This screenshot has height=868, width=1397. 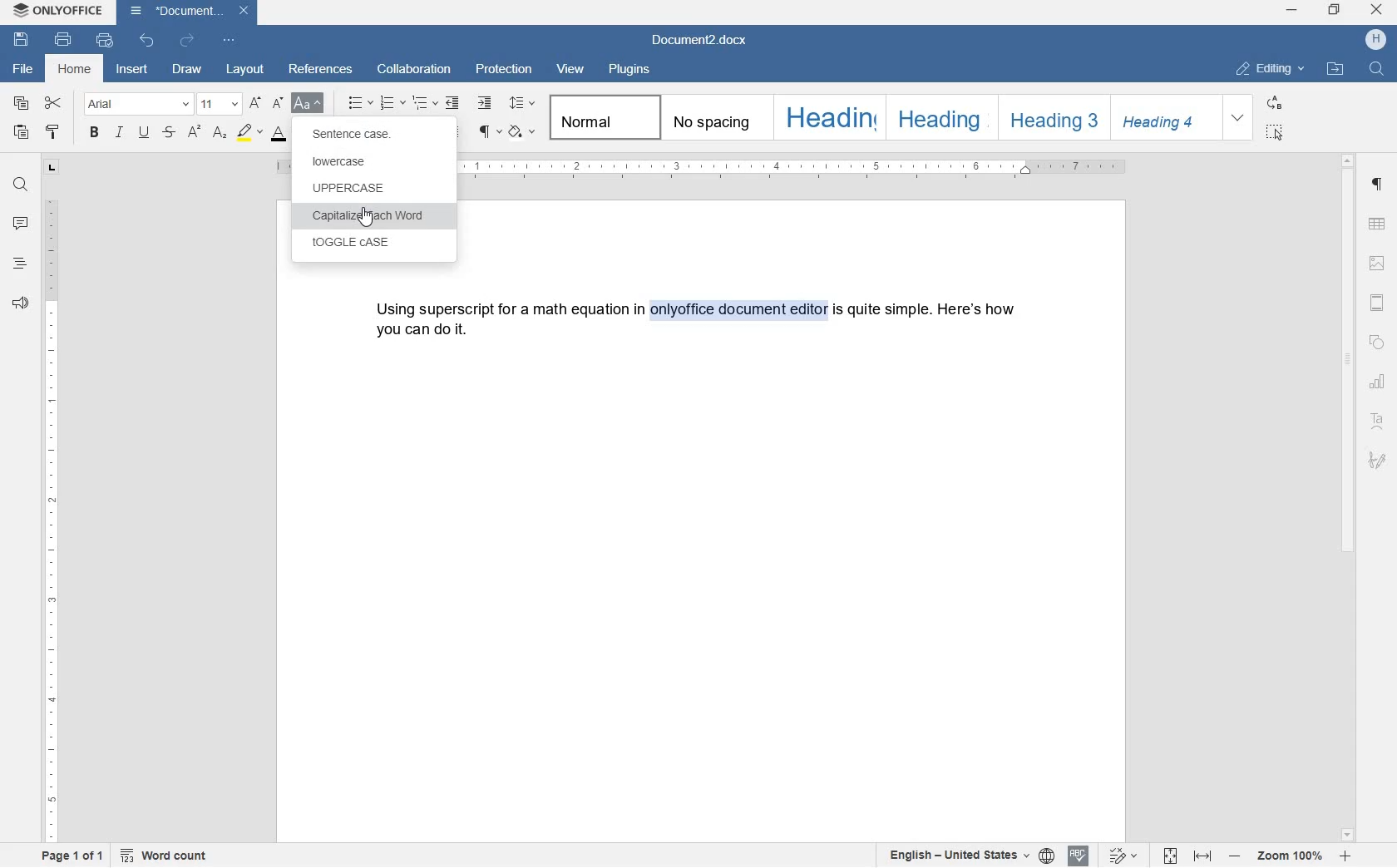 What do you see at coordinates (601, 118) in the screenshot?
I see `normal` at bounding box center [601, 118].